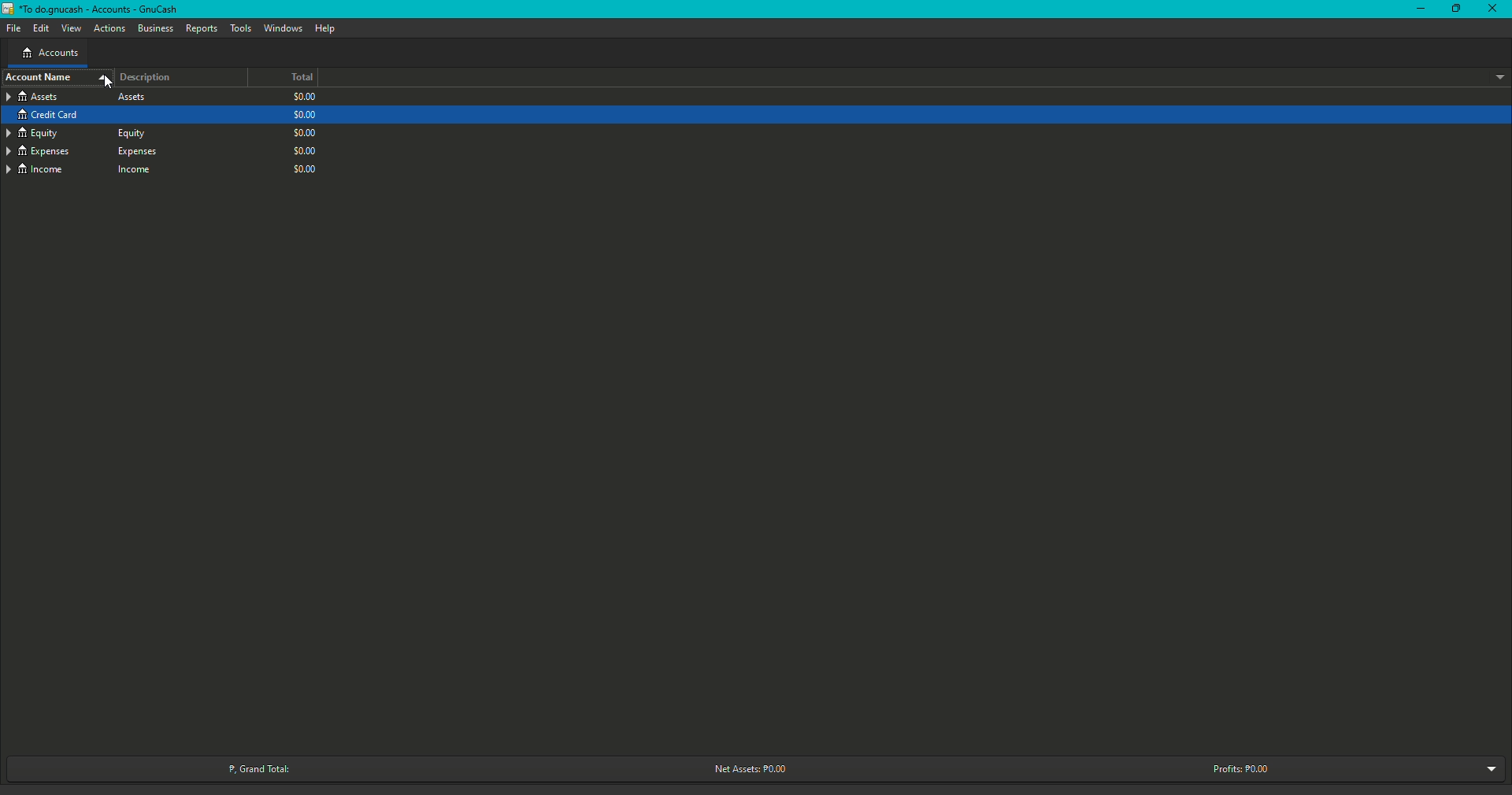 The width and height of the screenshot is (1512, 795). What do you see at coordinates (201, 28) in the screenshot?
I see `Reports` at bounding box center [201, 28].